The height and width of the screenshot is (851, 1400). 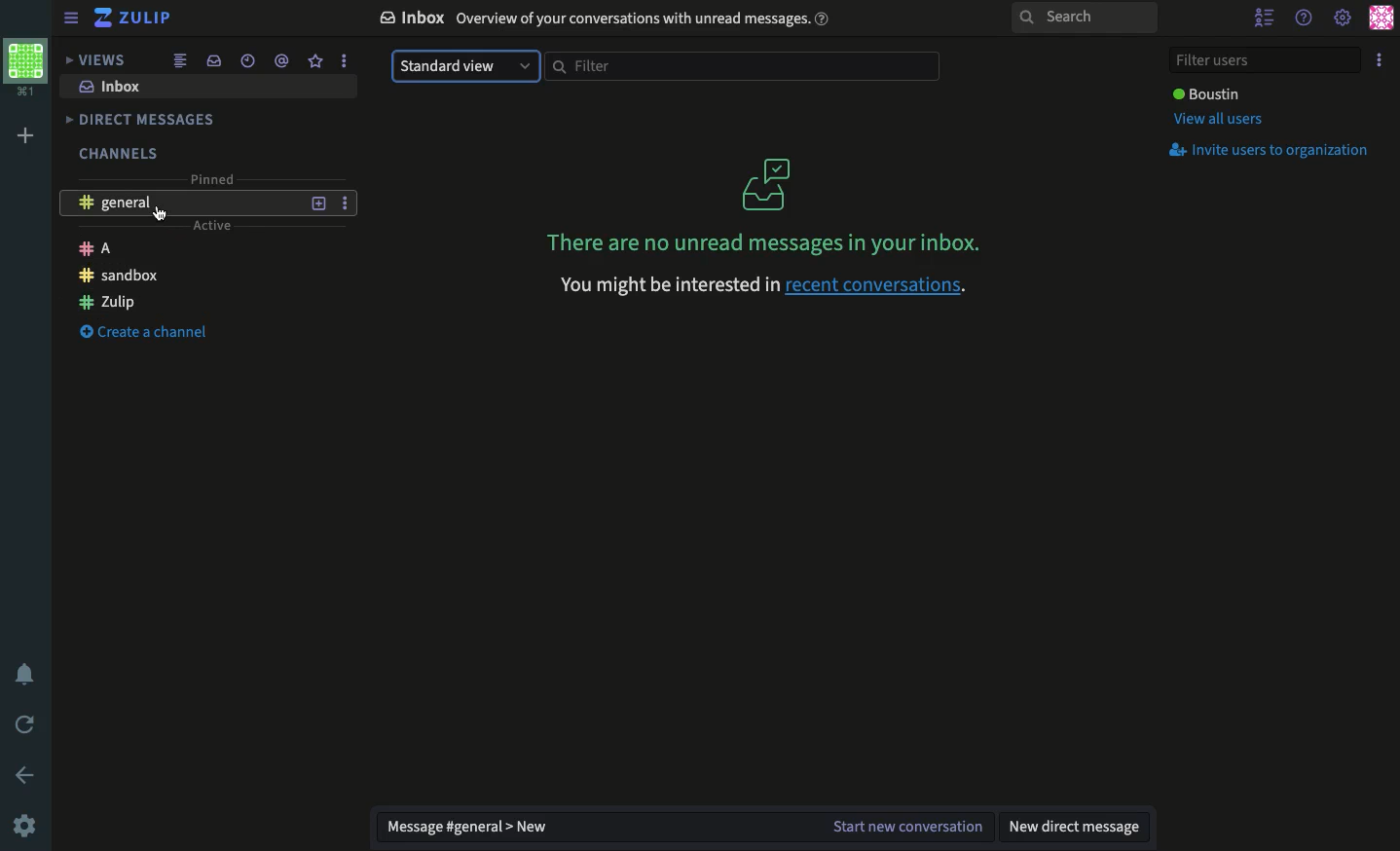 What do you see at coordinates (348, 61) in the screenshot?
I see `More Options` at bounding box center [348, 61].